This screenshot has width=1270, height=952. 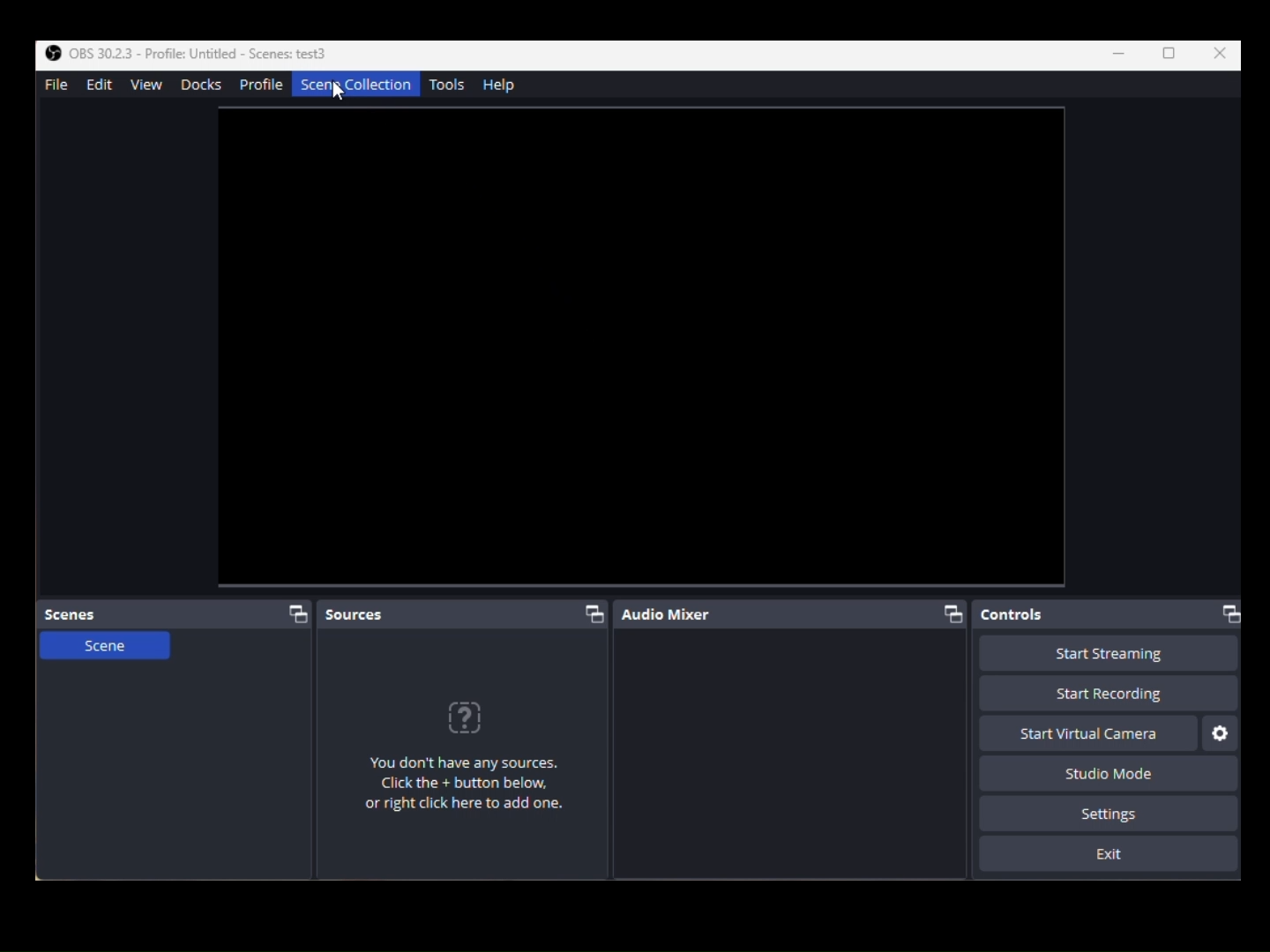 I want to click on Docks, so click(x=199, y=85).